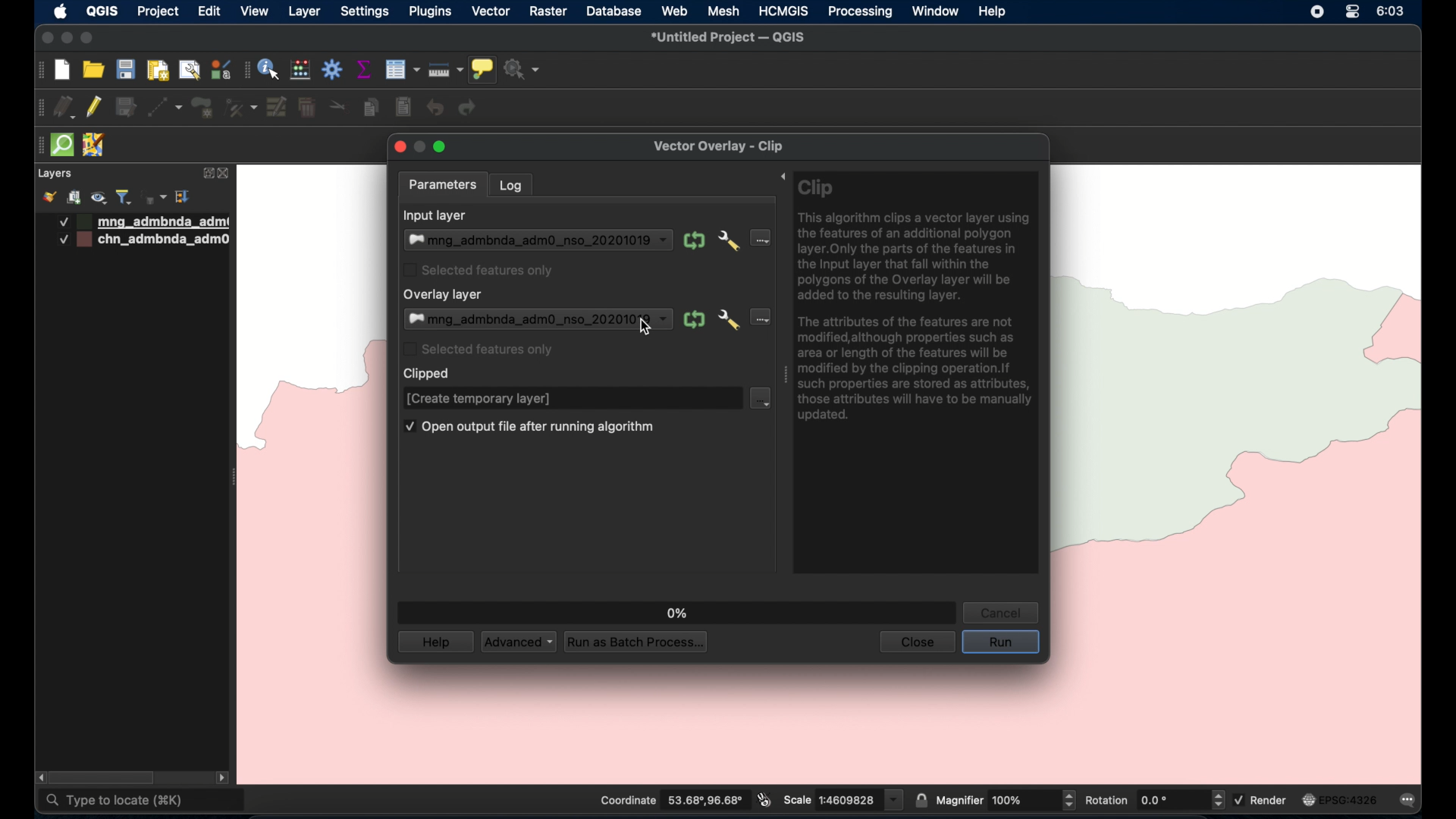 This screenshot has height=819, width=1456. Describe the element at coordinates (778, 177) in the screenshot. I see `expand` at that location.